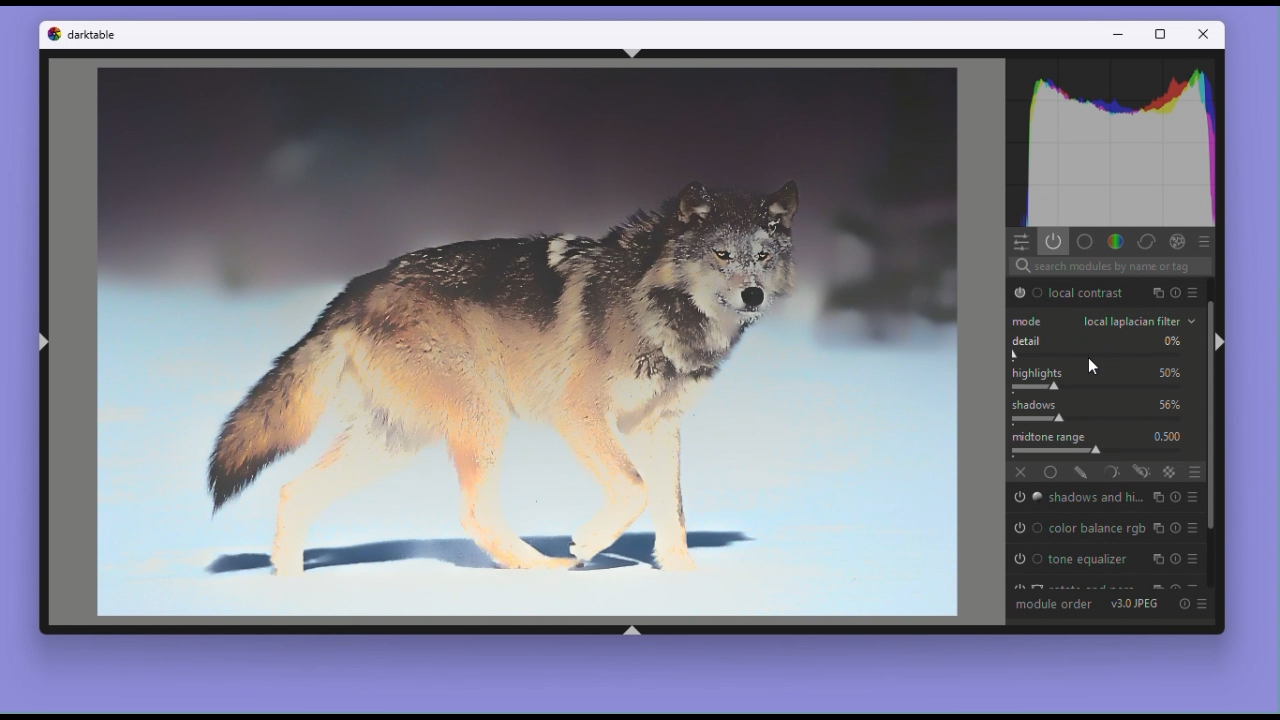 The height and width of the screenshot is (720, 1280). Describe the element at coordinates (1207, 242) in the screenshot. I see `presets` at that location.